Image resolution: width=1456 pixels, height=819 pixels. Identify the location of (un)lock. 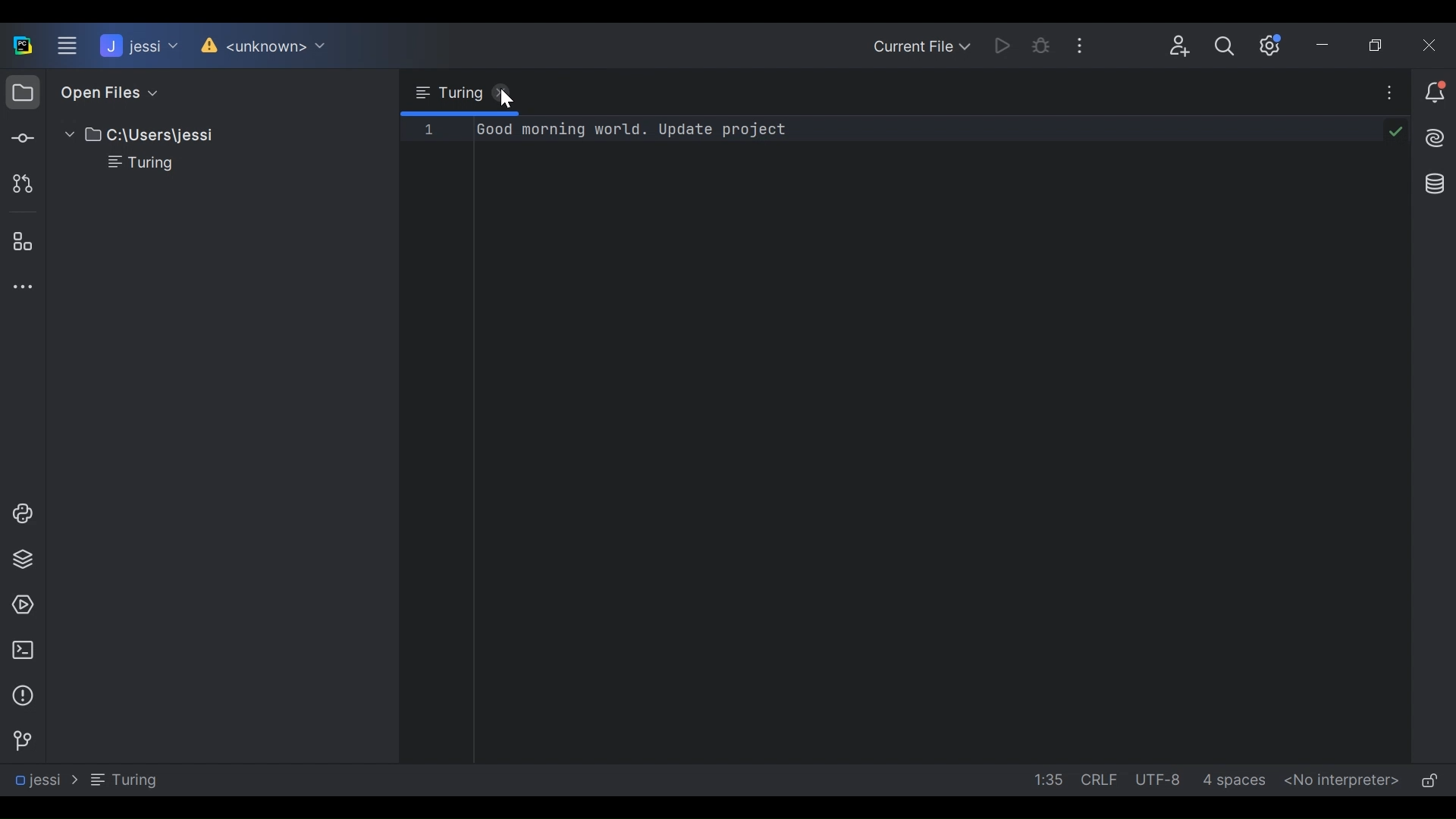
(1429, 783).